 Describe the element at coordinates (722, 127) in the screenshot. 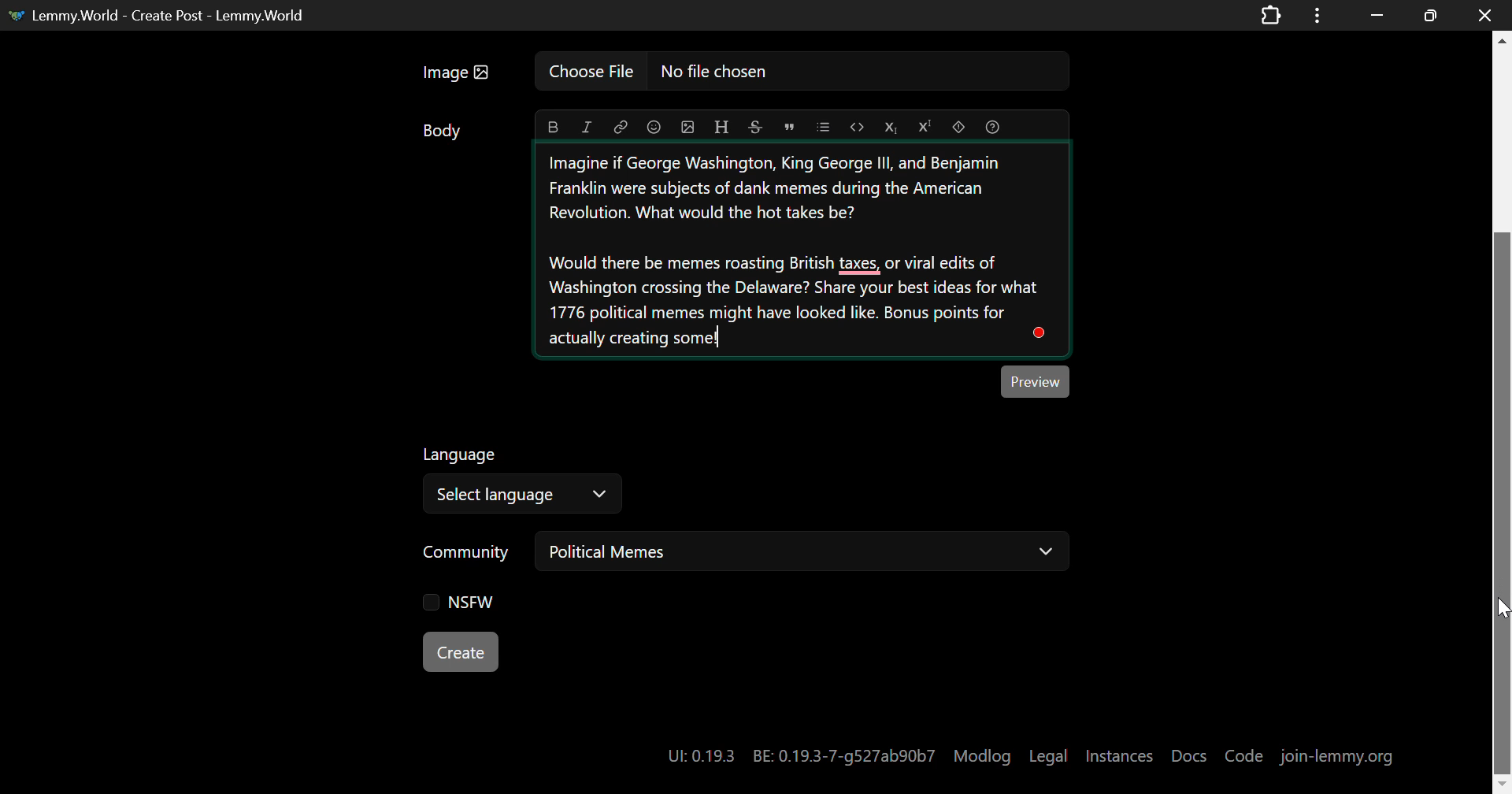

I see `Header` at that location.